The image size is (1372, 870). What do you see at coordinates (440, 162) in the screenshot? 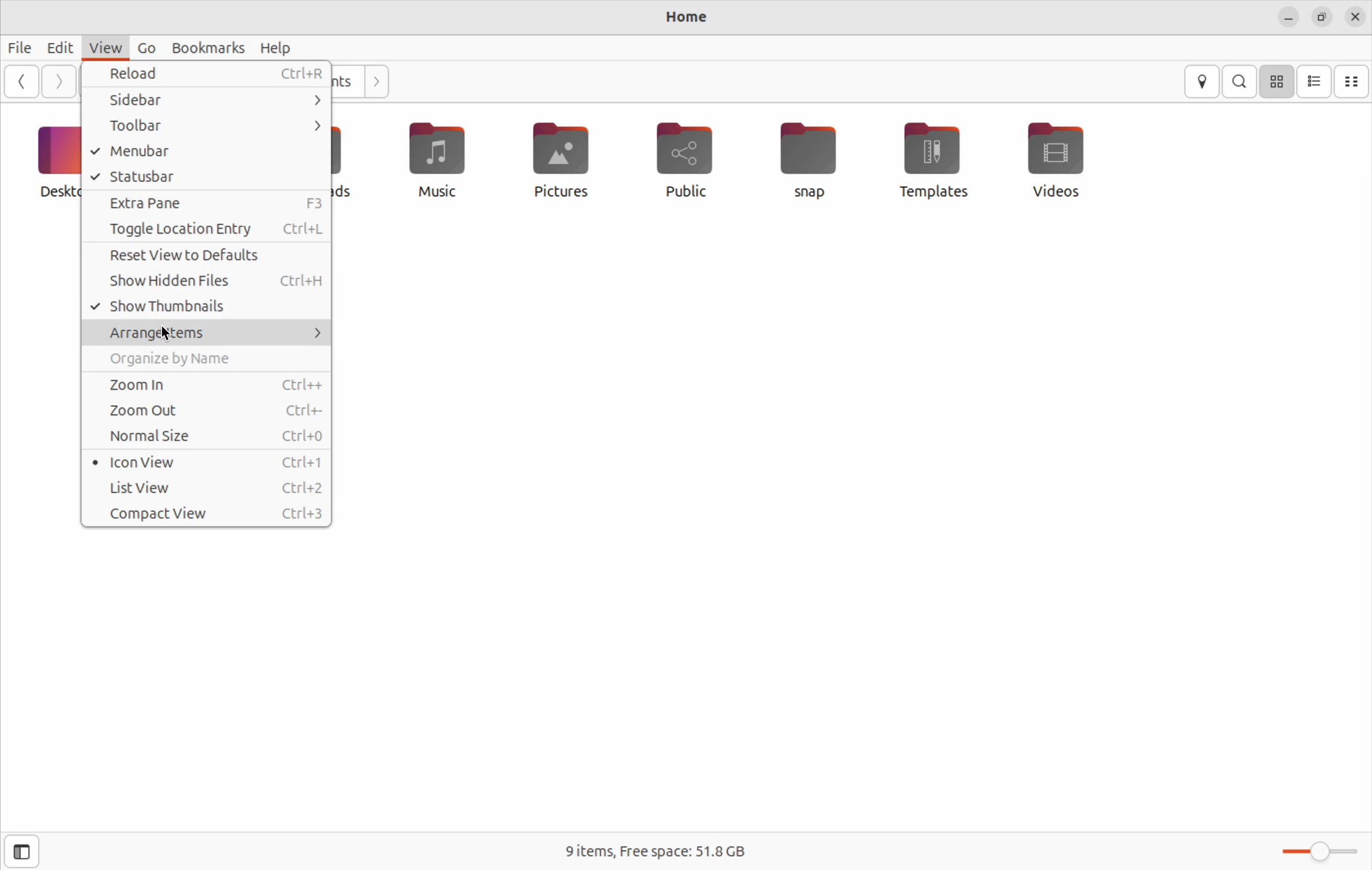
I see `music` at bounding box center [440, 162].